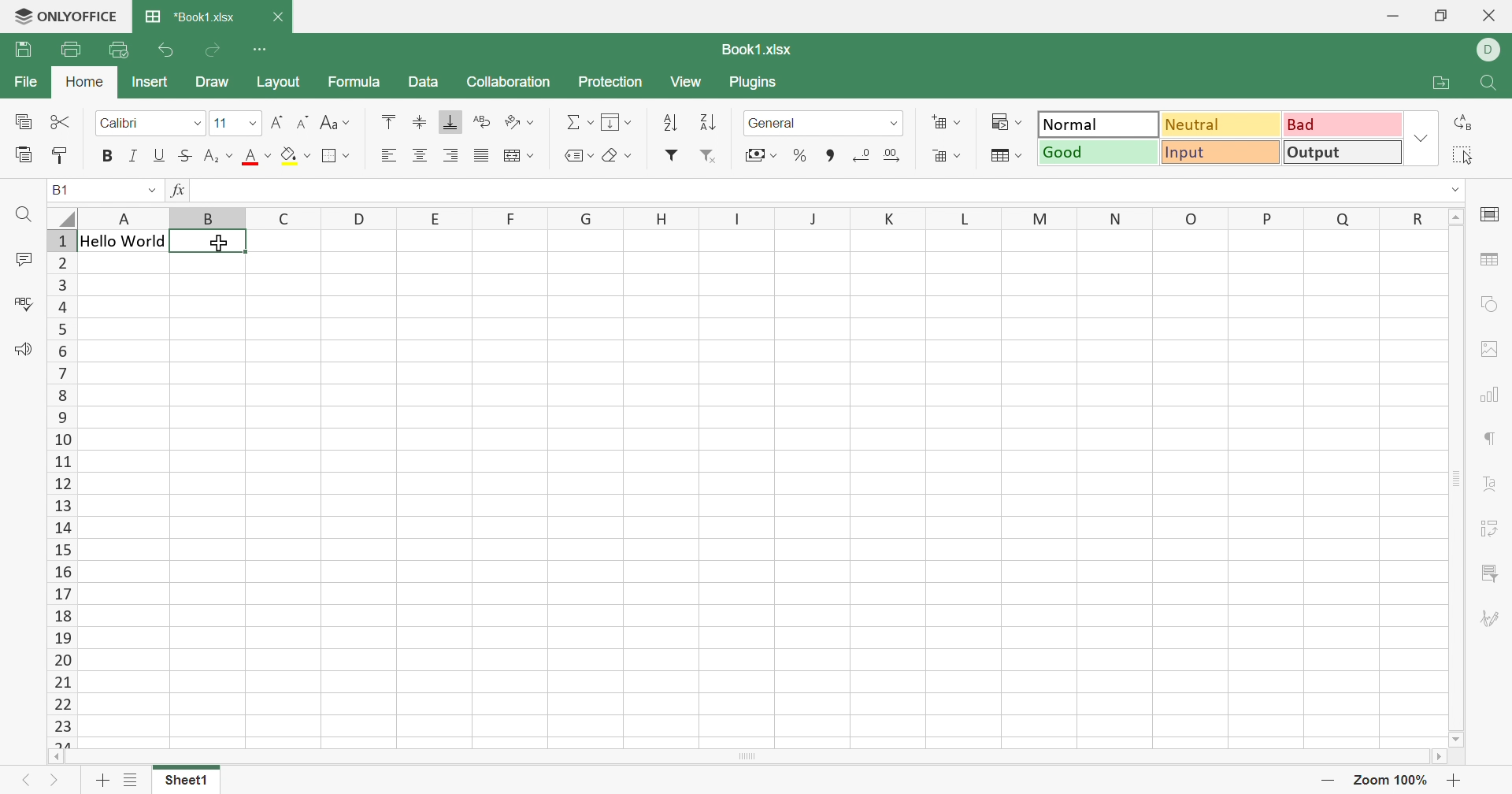  Describe the element at coordinates (19, 260) in the screenshot. I see `Comments` at that location.